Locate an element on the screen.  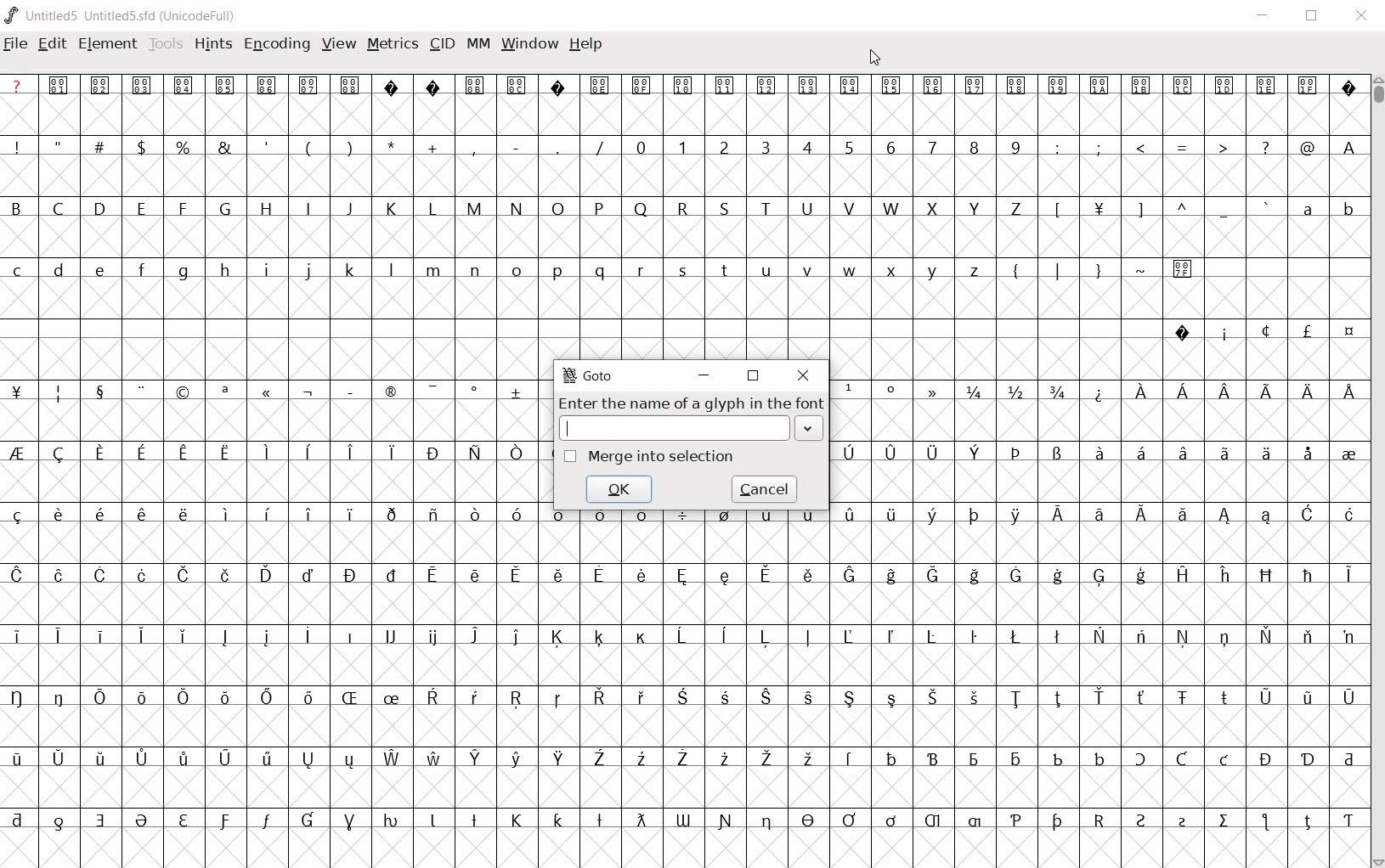
{ is located at coordinates (1015, 270).